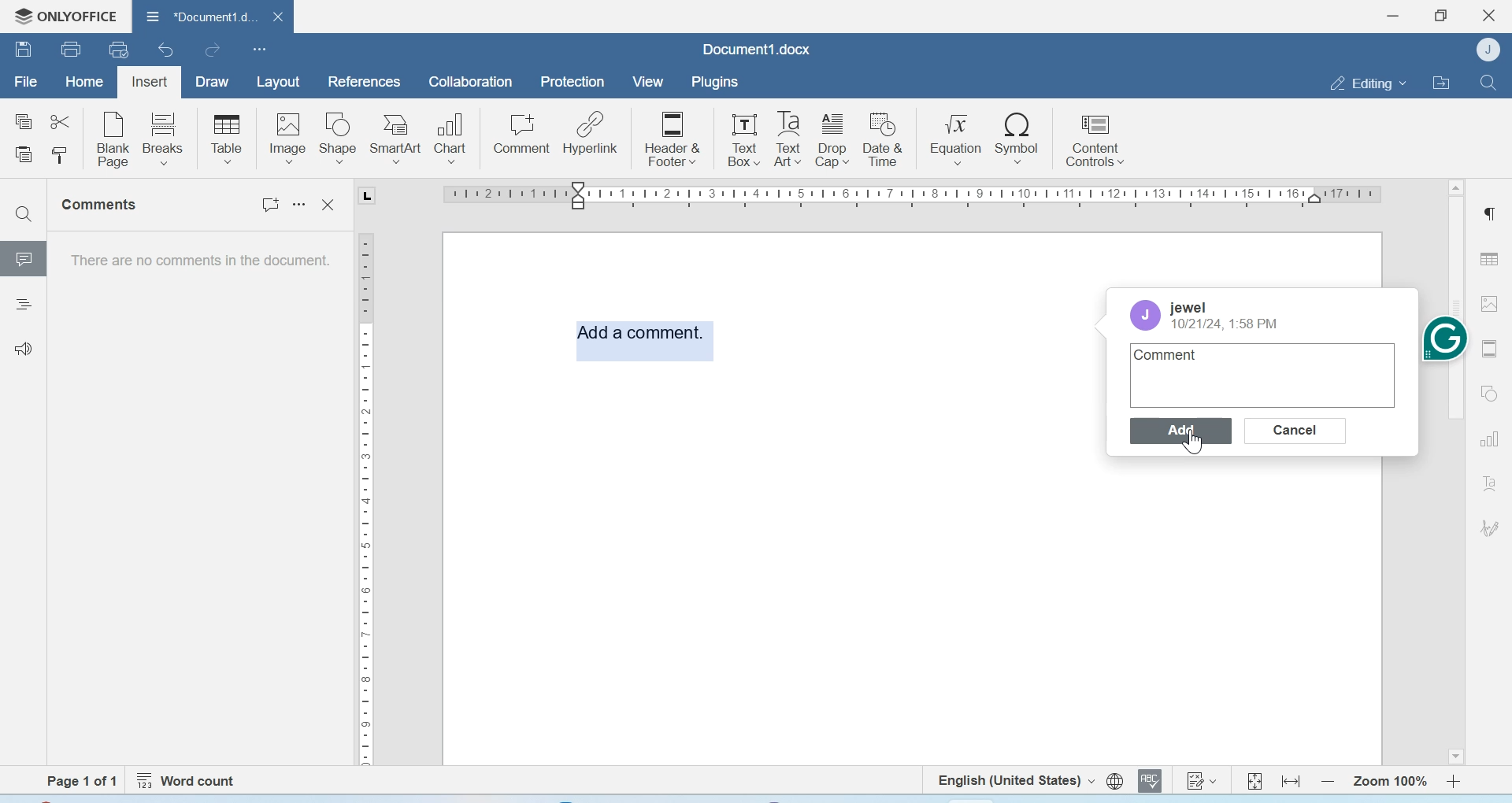 The image size is (1512, 803). I want to click on Undo, so click(168, 50).